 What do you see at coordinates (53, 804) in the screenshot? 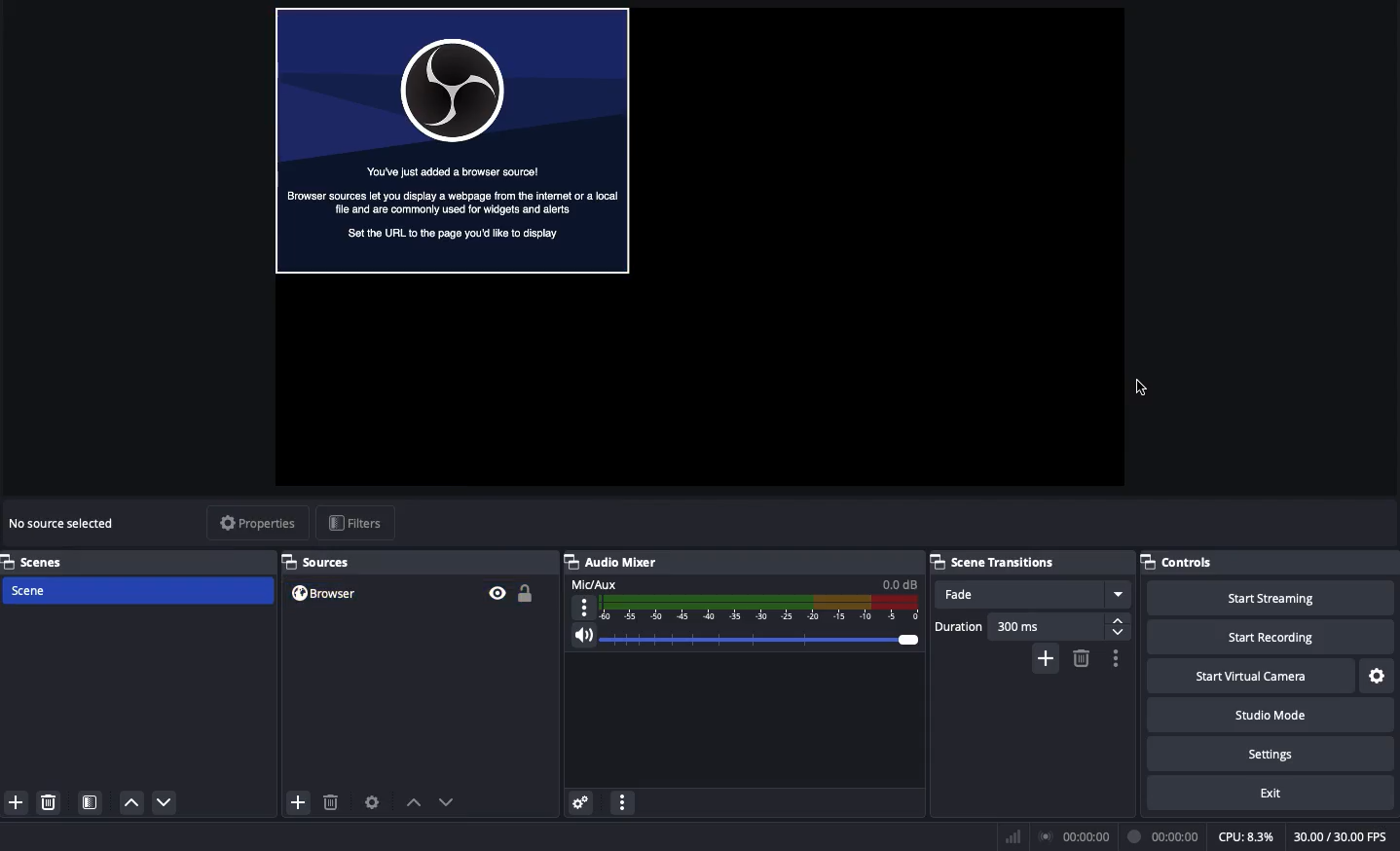
I see `delete` at bounding box center [53, 804].